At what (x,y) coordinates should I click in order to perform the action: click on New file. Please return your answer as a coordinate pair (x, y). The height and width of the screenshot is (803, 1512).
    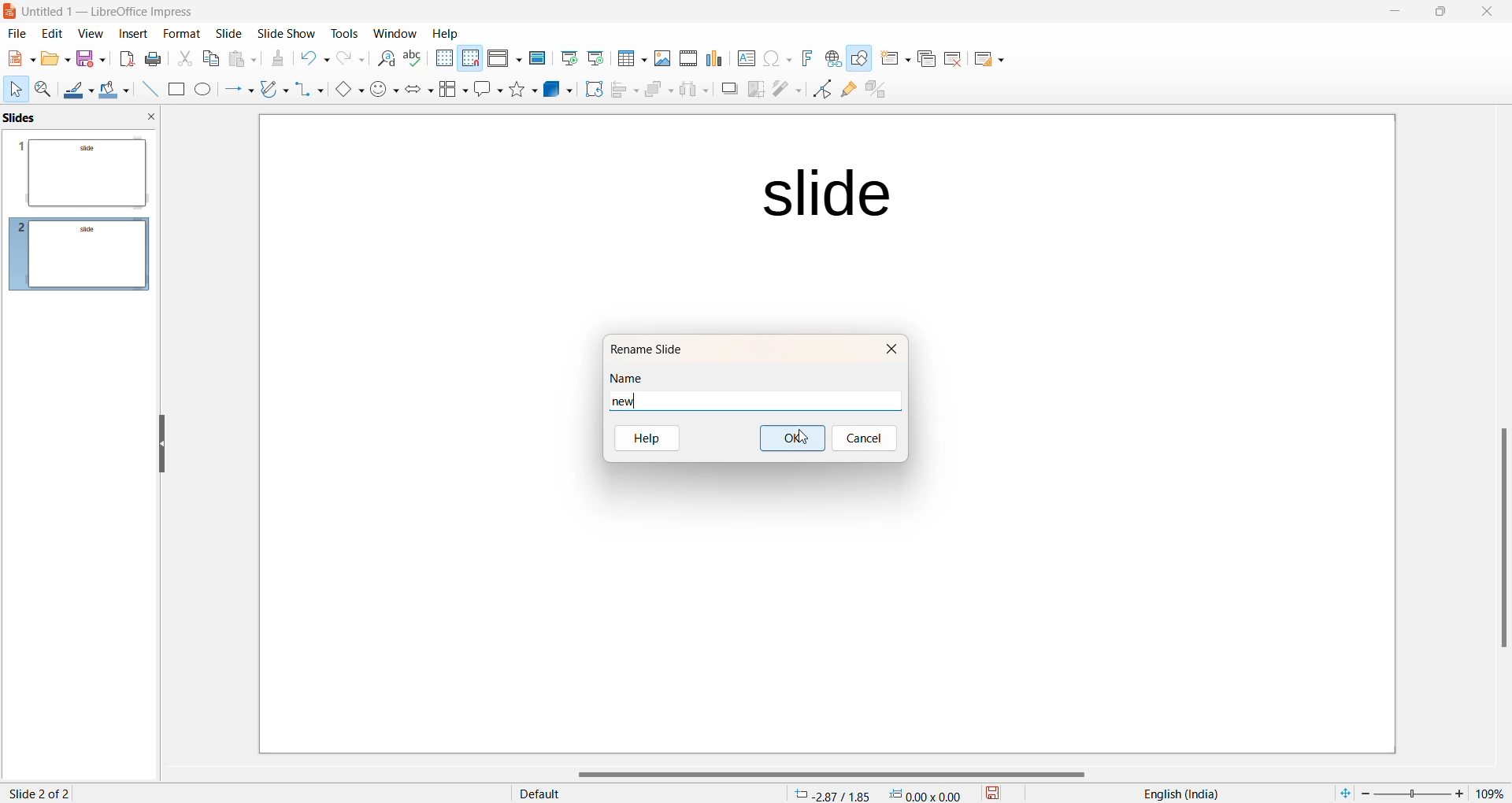
    Looking at the image, I should click on (18, 57).